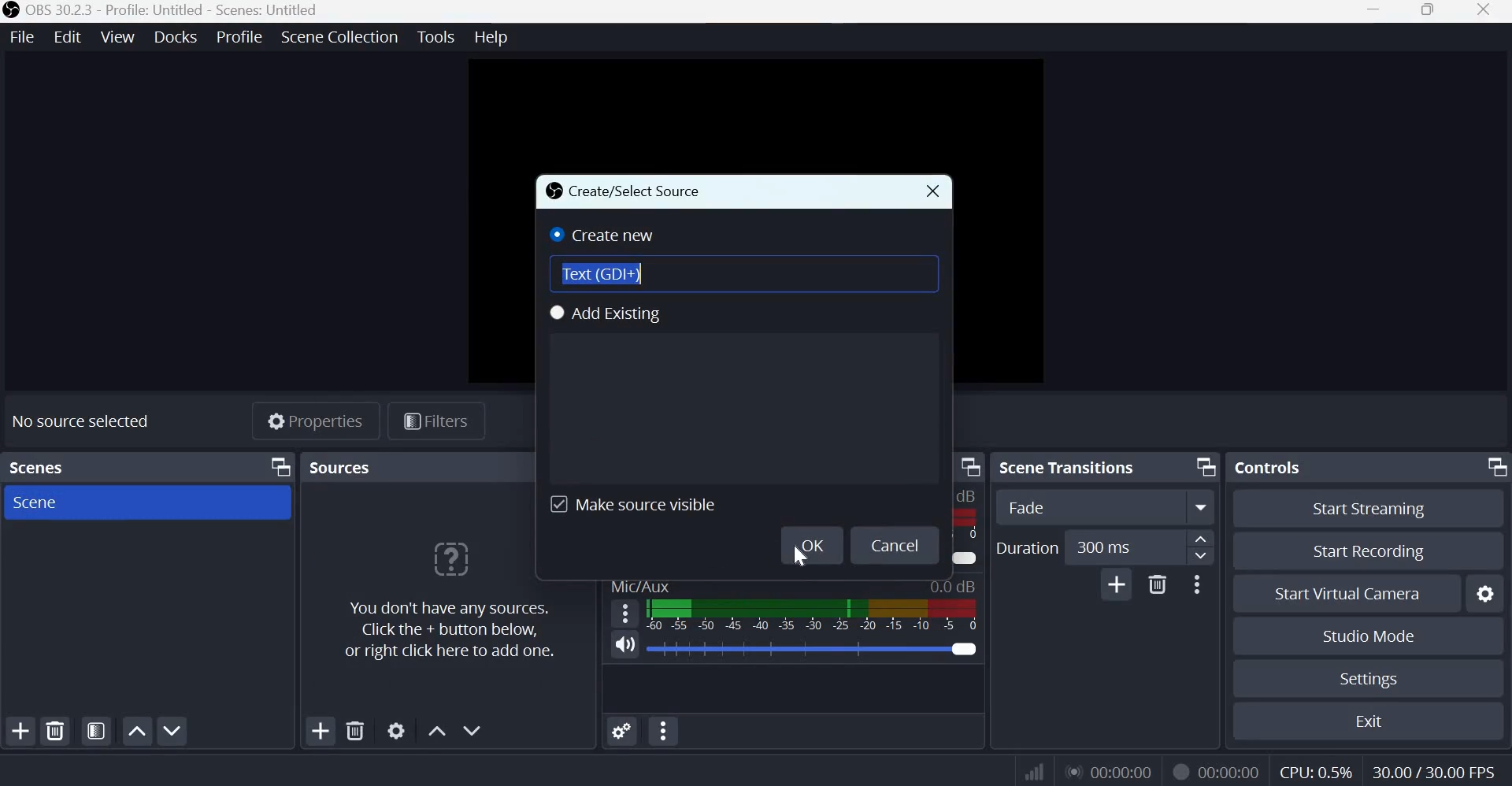 The image size is (1512, 786). I want to click on Move source(s) down, so click(474, 730).